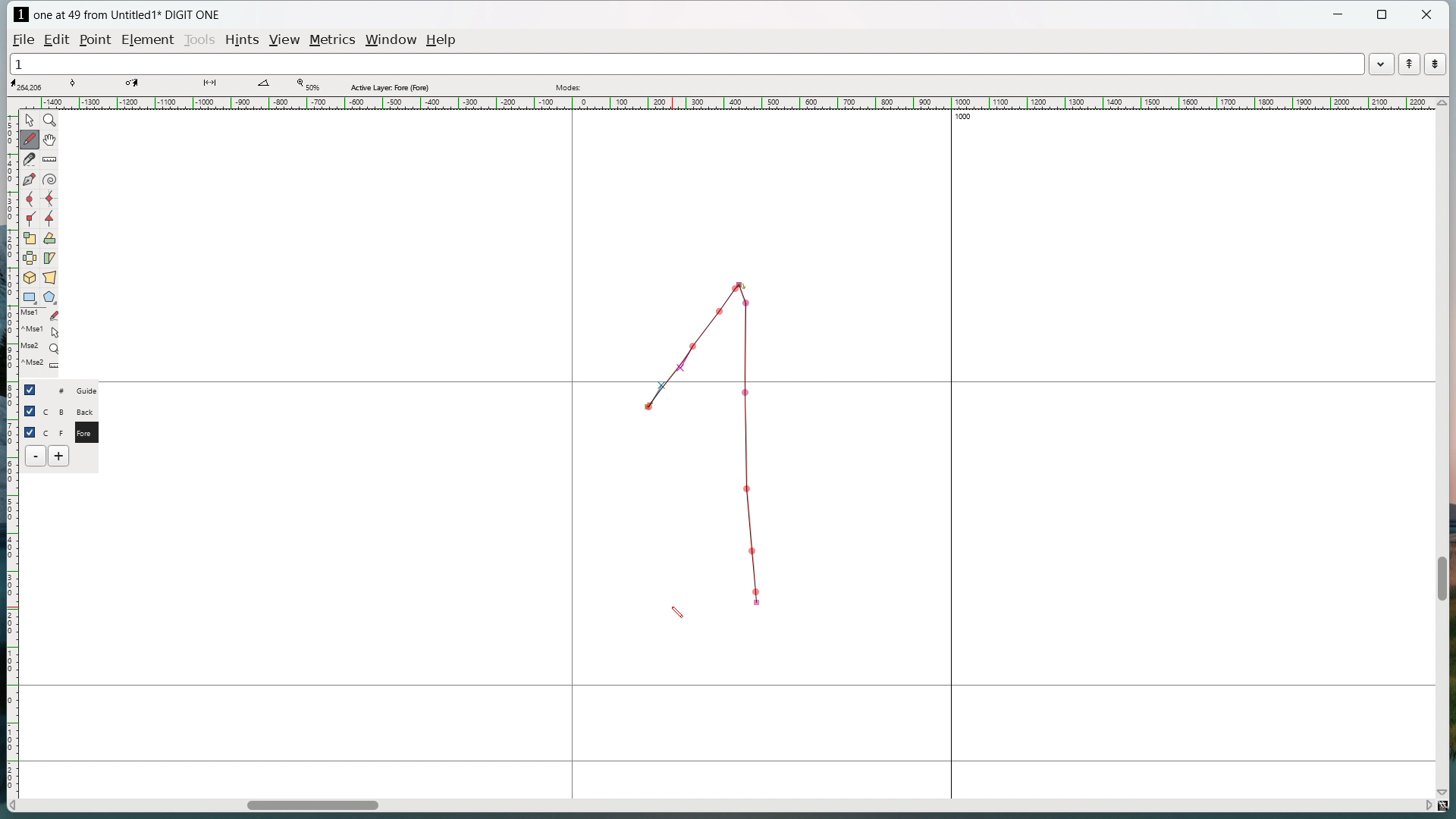 The width and height of the screenshot is (1456, 819). Describe the element at coordinates (59, 39) in the screenshot. I see `edit` at that location.